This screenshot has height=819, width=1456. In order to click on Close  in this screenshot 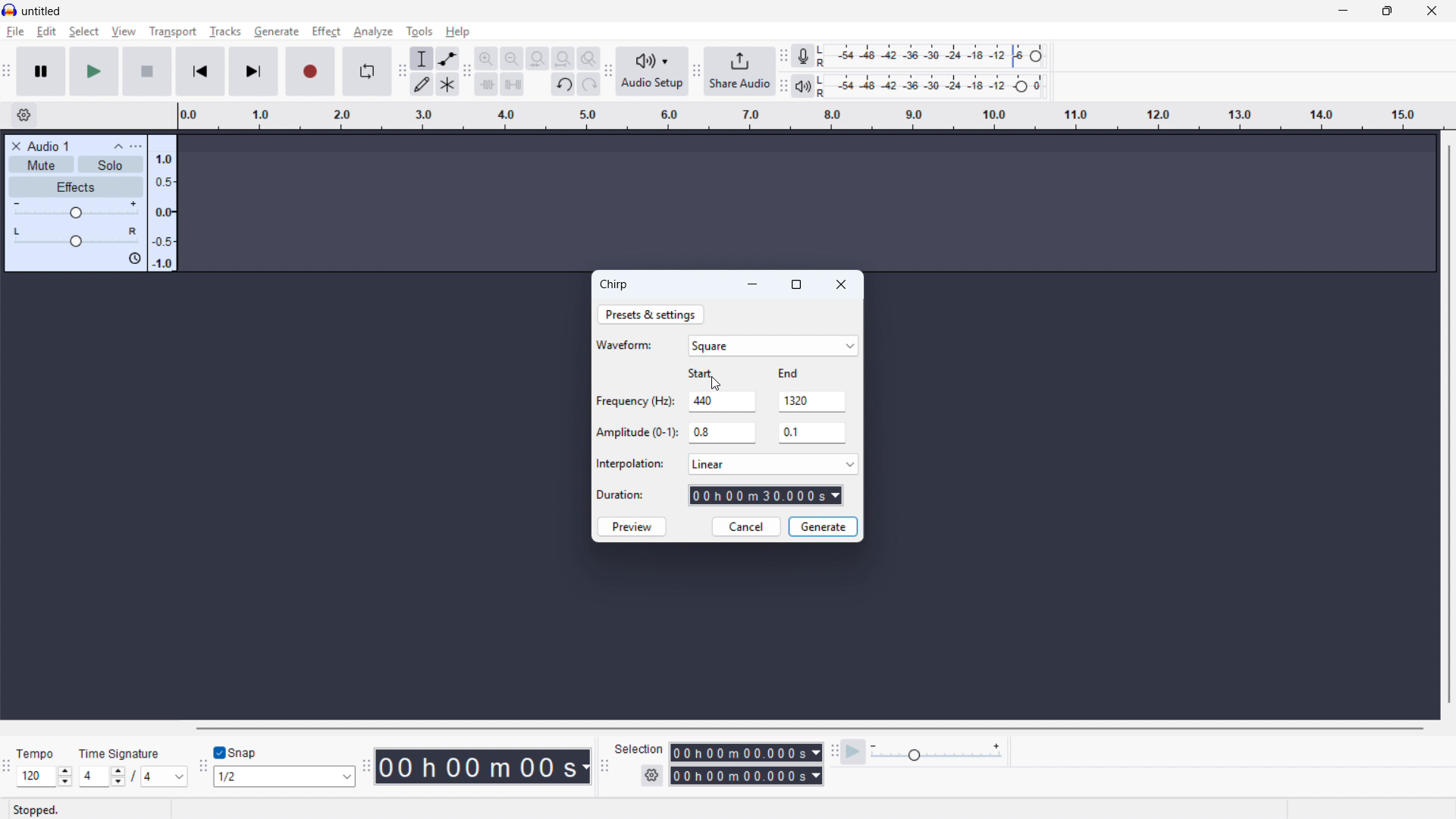, I will do `click(1430, 11)`.